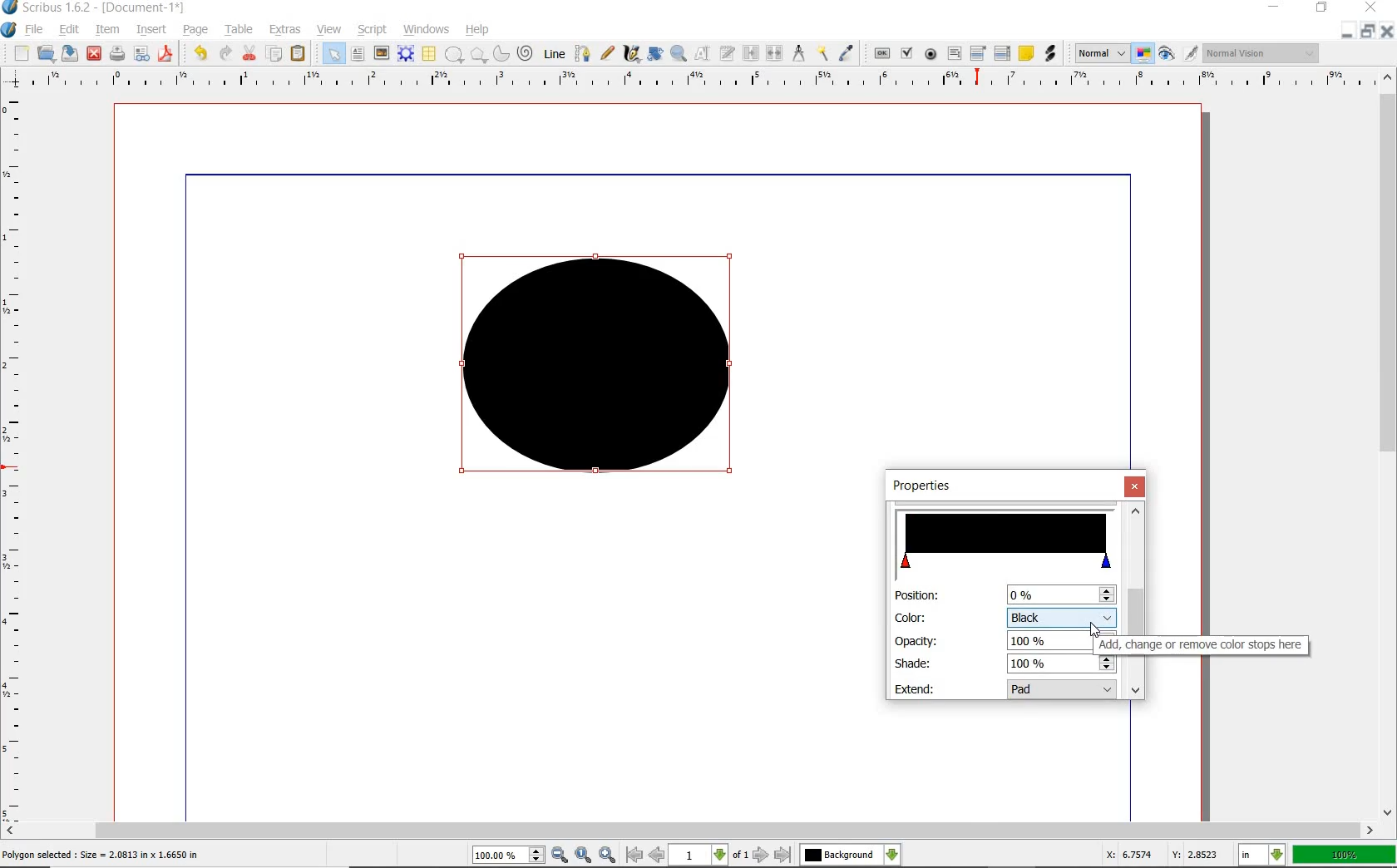  What do you see at coordinates (381, 52) in the screenshot?
I see `IMAGE` at bounding box center [381, 52].